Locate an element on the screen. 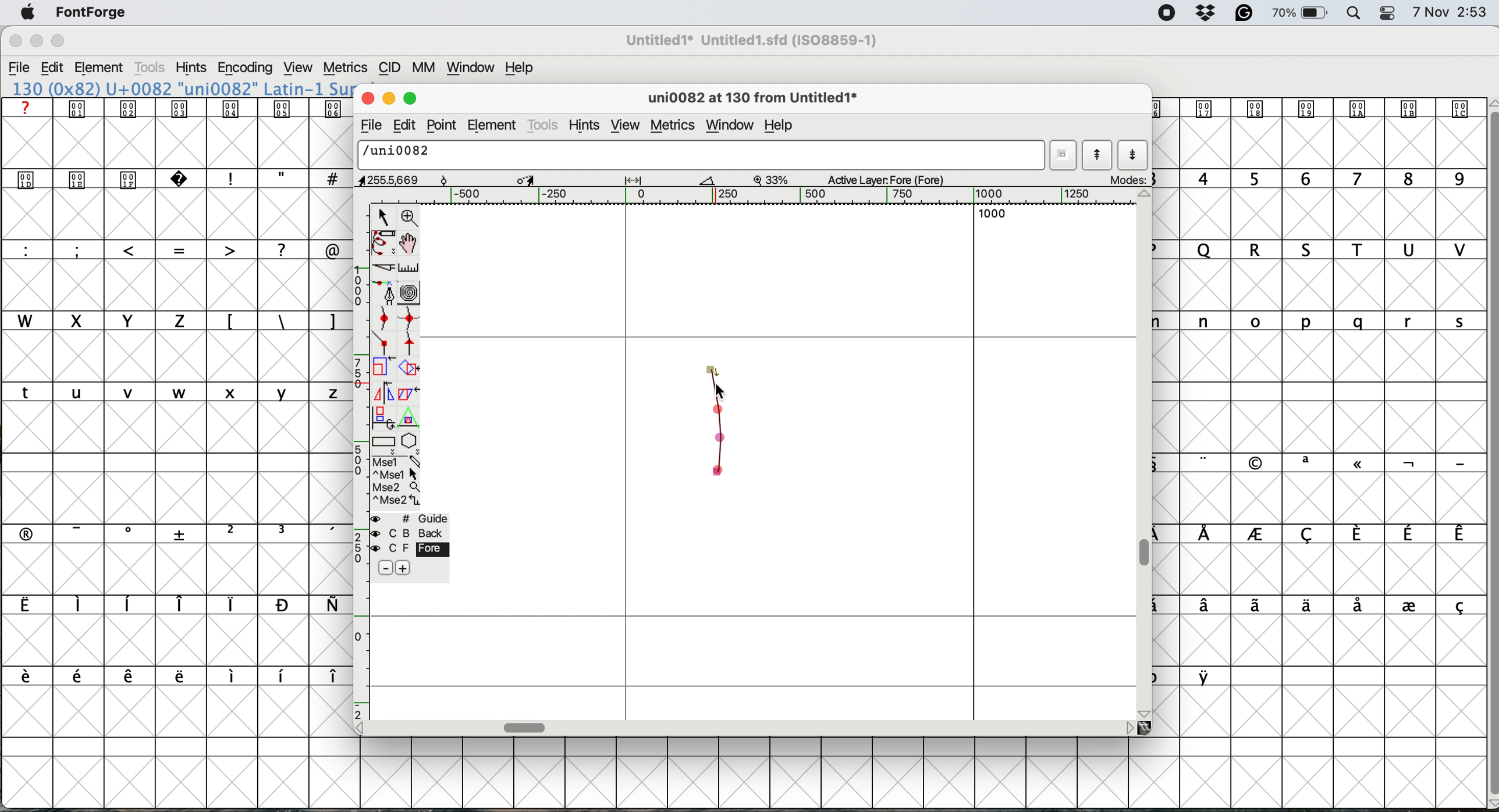 This screenshot has height=812, width=1499. rectangle or box is located at coordinates (385, 444).